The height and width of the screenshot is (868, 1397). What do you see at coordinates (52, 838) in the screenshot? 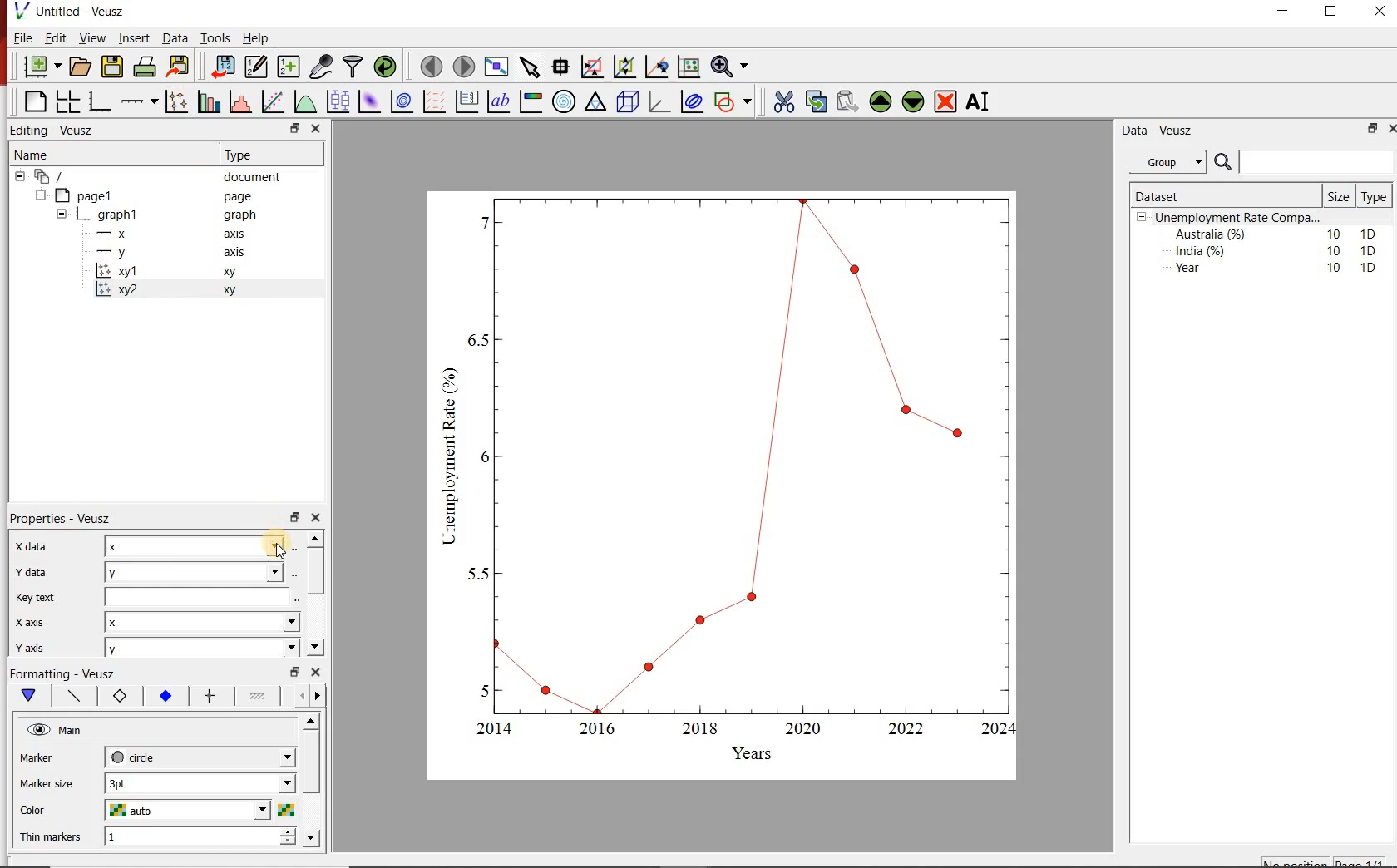
I see `Thin markers` at bounding box center [52, 838].